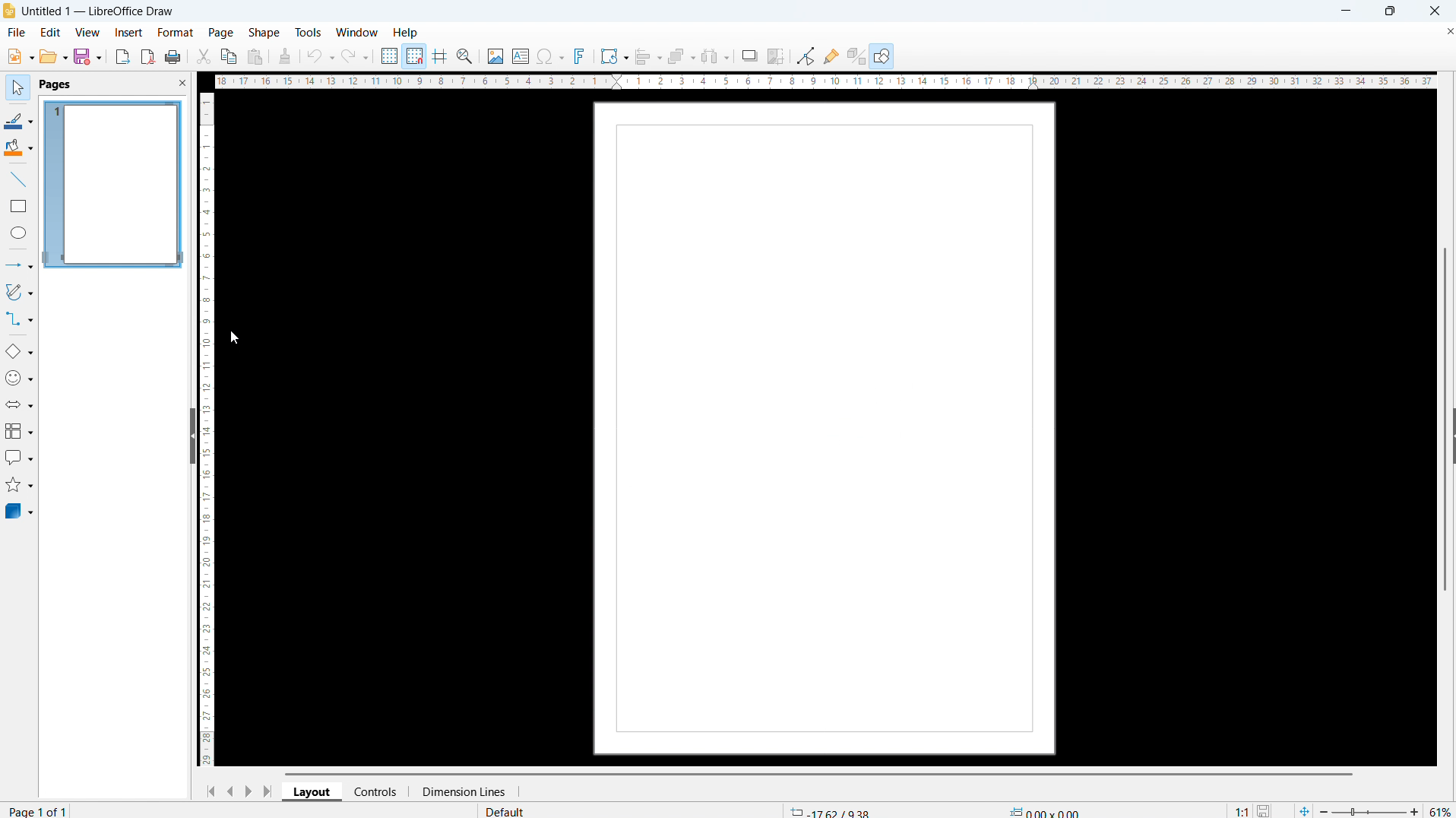  Describe the element at coordinates (833, 810) in the screenshot. I see `cursor coordinate` at that location.